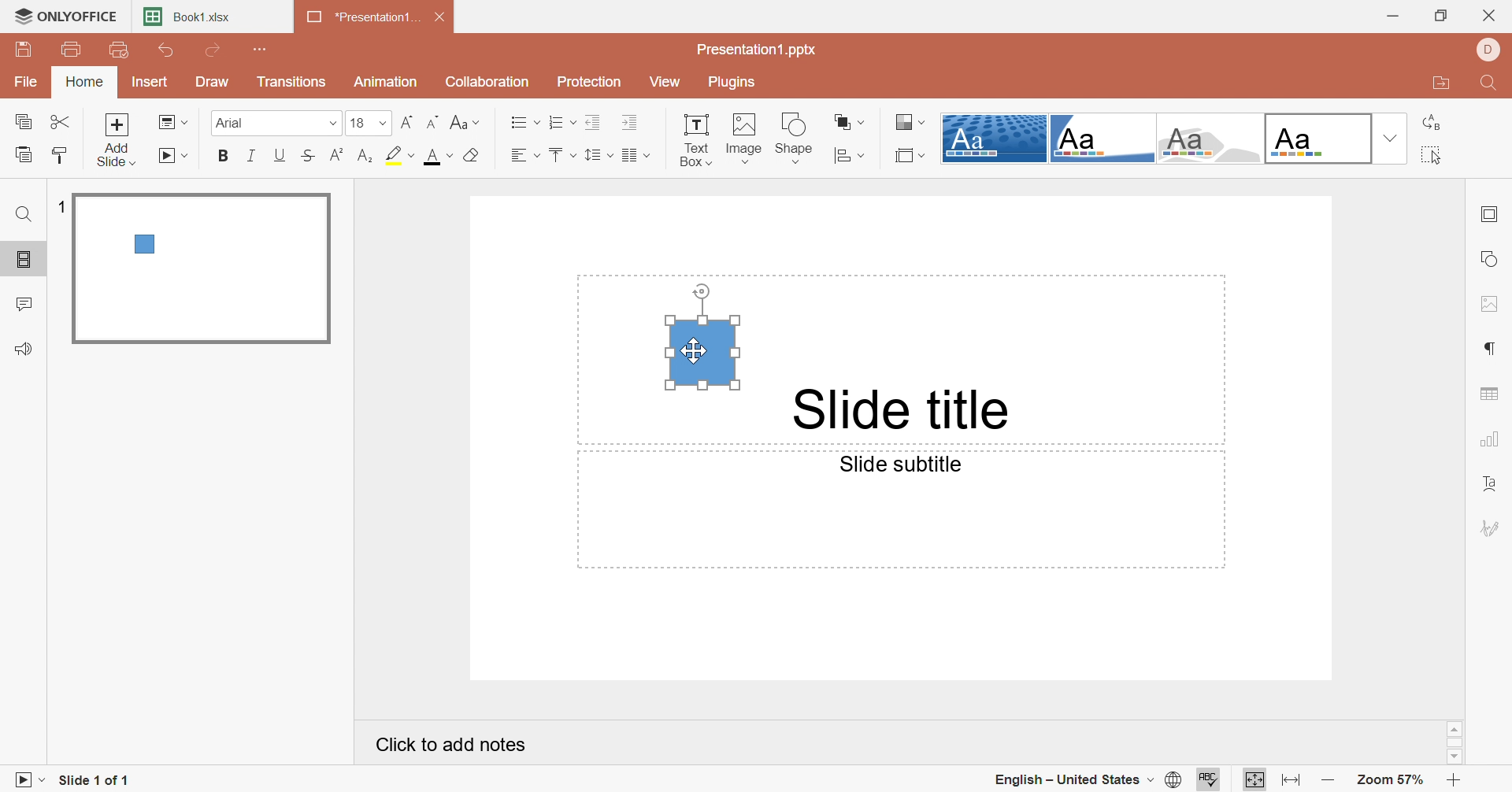  I want to click on 18, so click(358, 124).